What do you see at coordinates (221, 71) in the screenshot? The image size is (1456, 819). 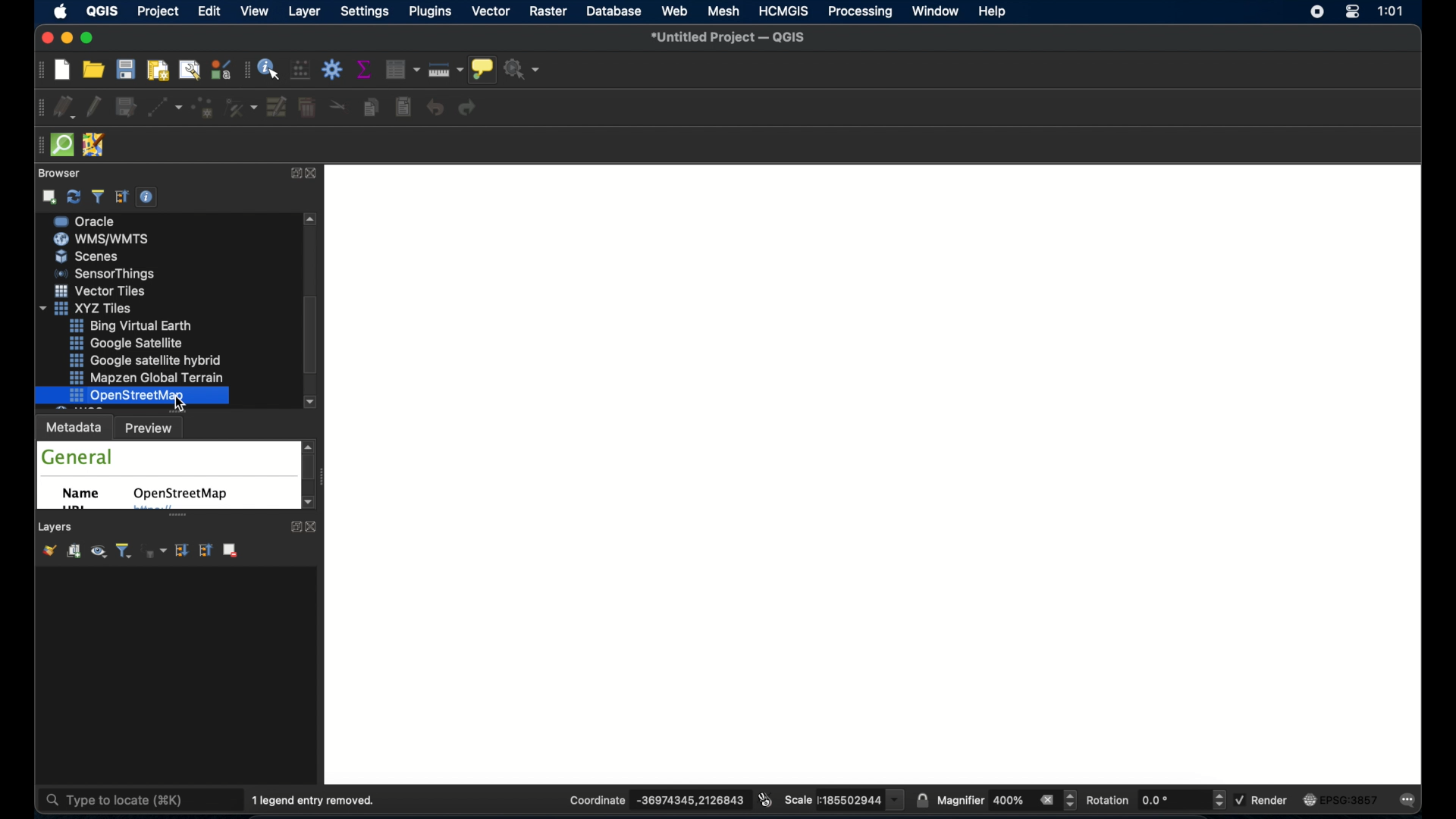 I see `style manager` at bounding box center [221, 71].